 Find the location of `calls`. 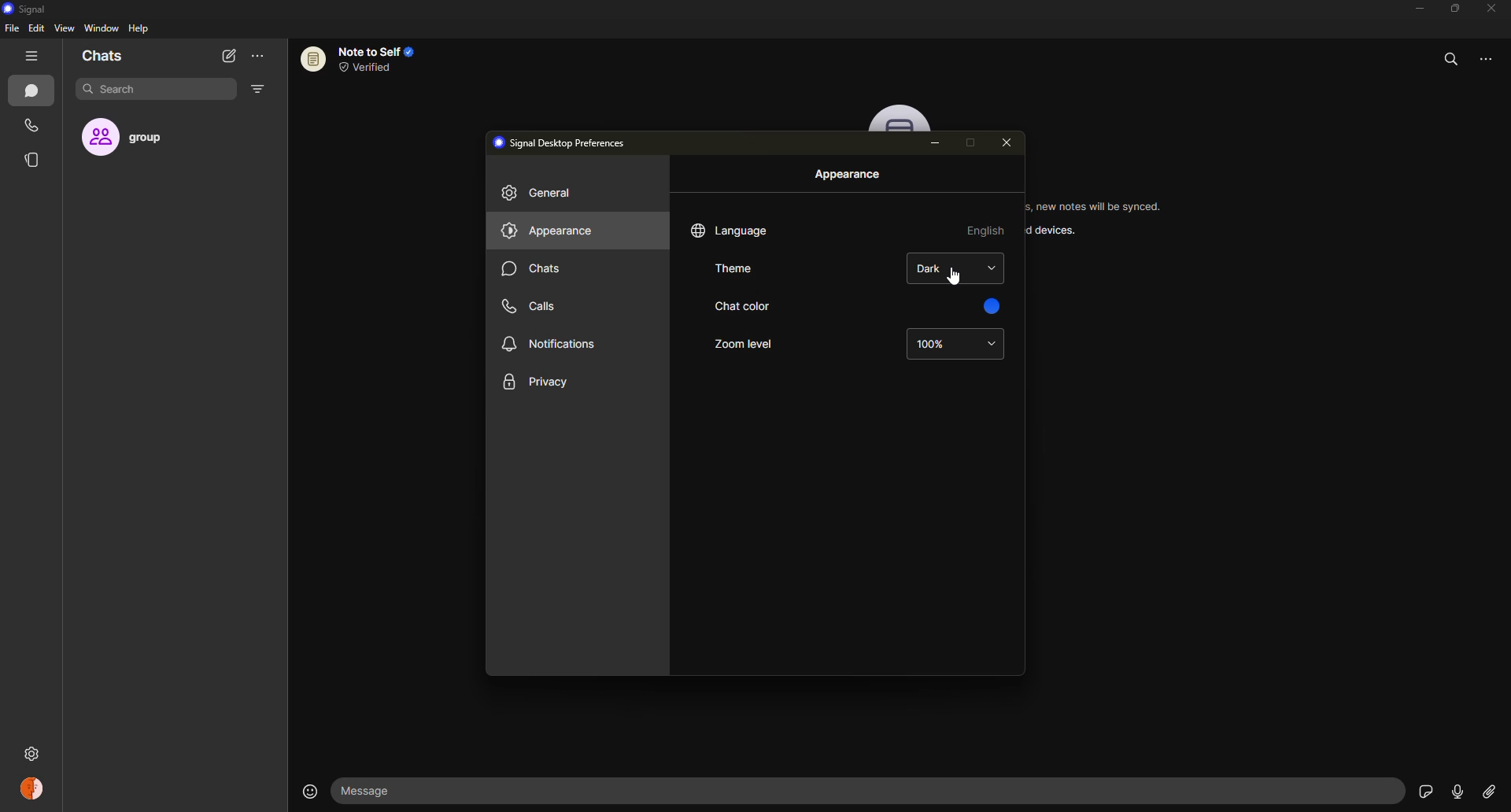

calls is located at coordinates (531, 305).